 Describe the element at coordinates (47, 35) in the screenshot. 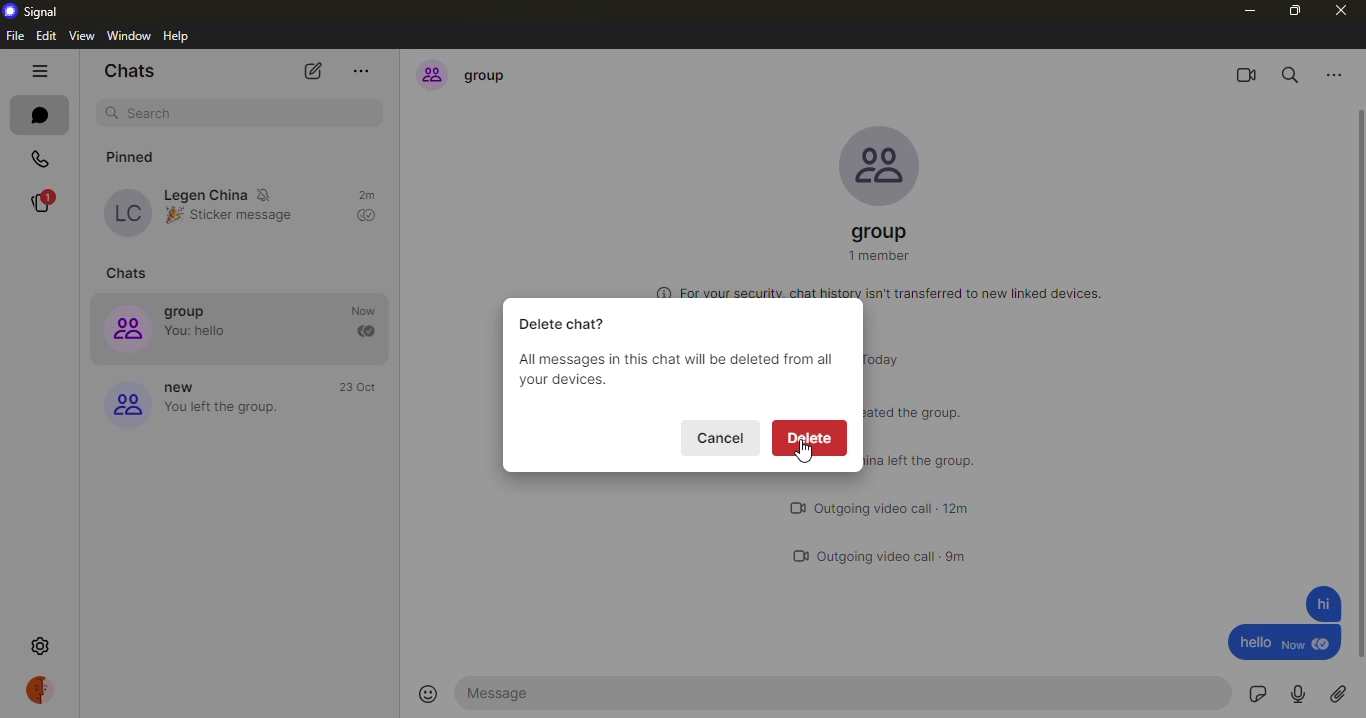

I see `edit` at that location.